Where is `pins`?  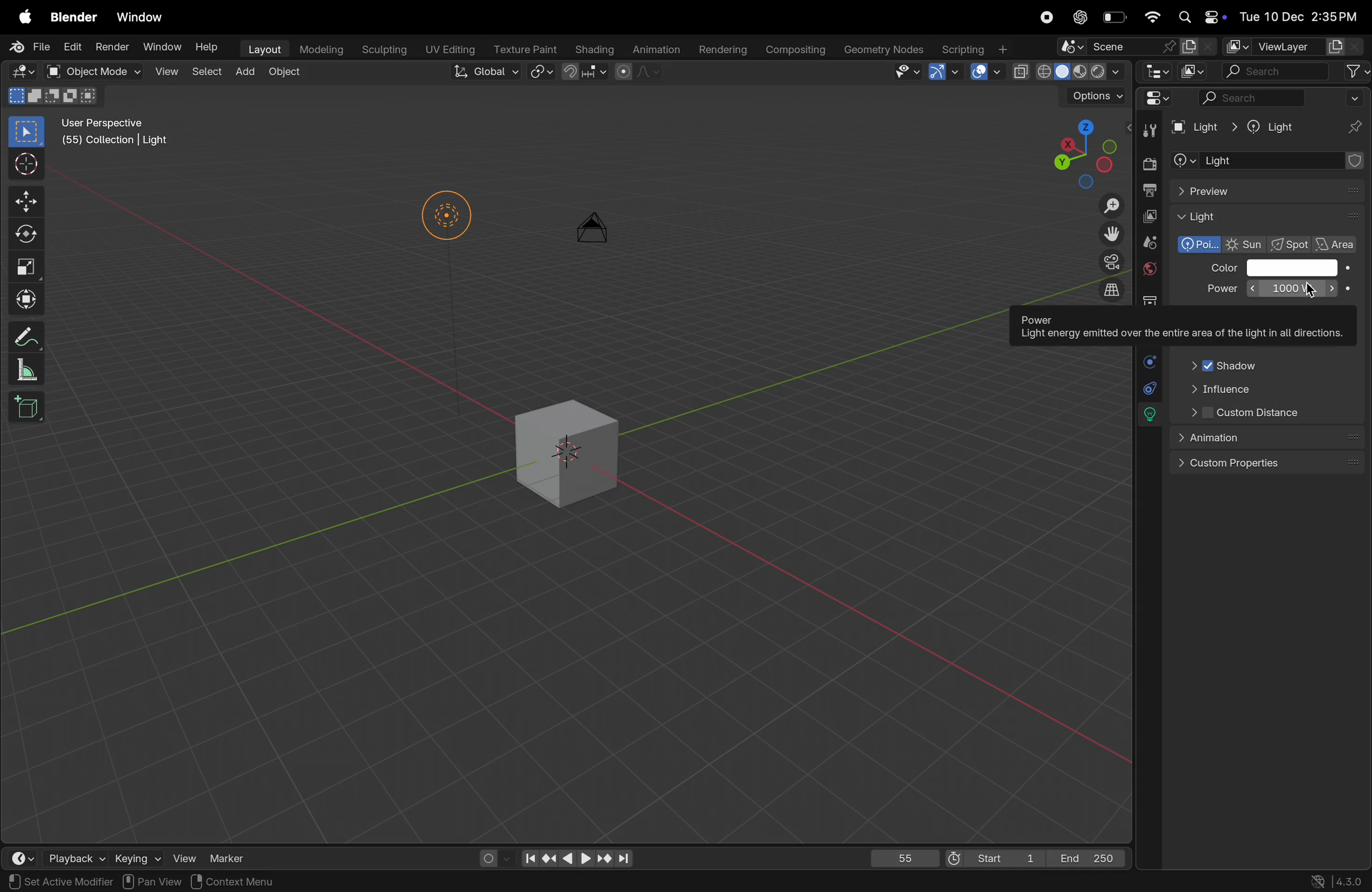 pins is located at coordinates (1356, 126).